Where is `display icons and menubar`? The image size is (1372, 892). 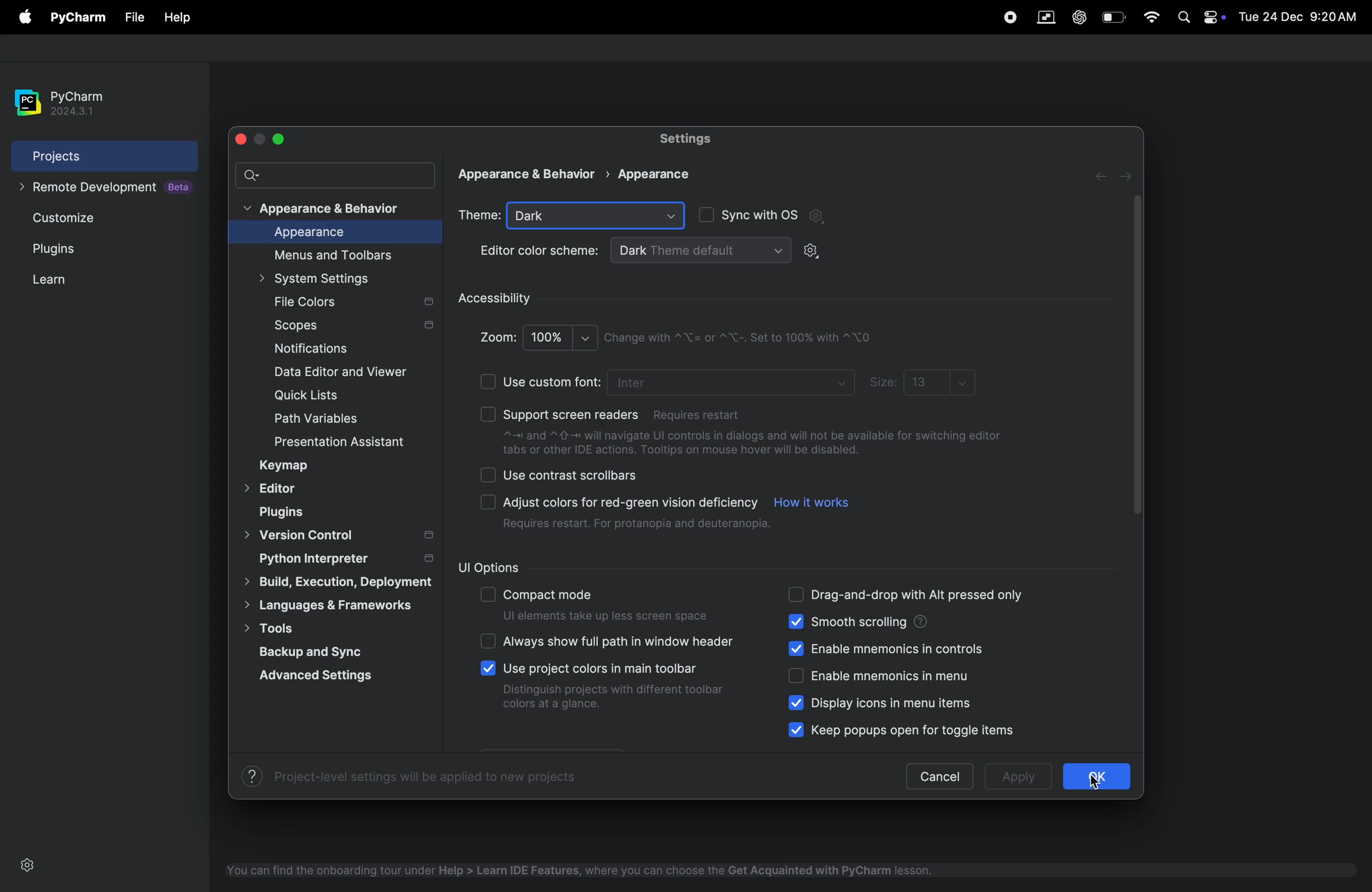 display icons and menubar is located at coordinates (872, 703).